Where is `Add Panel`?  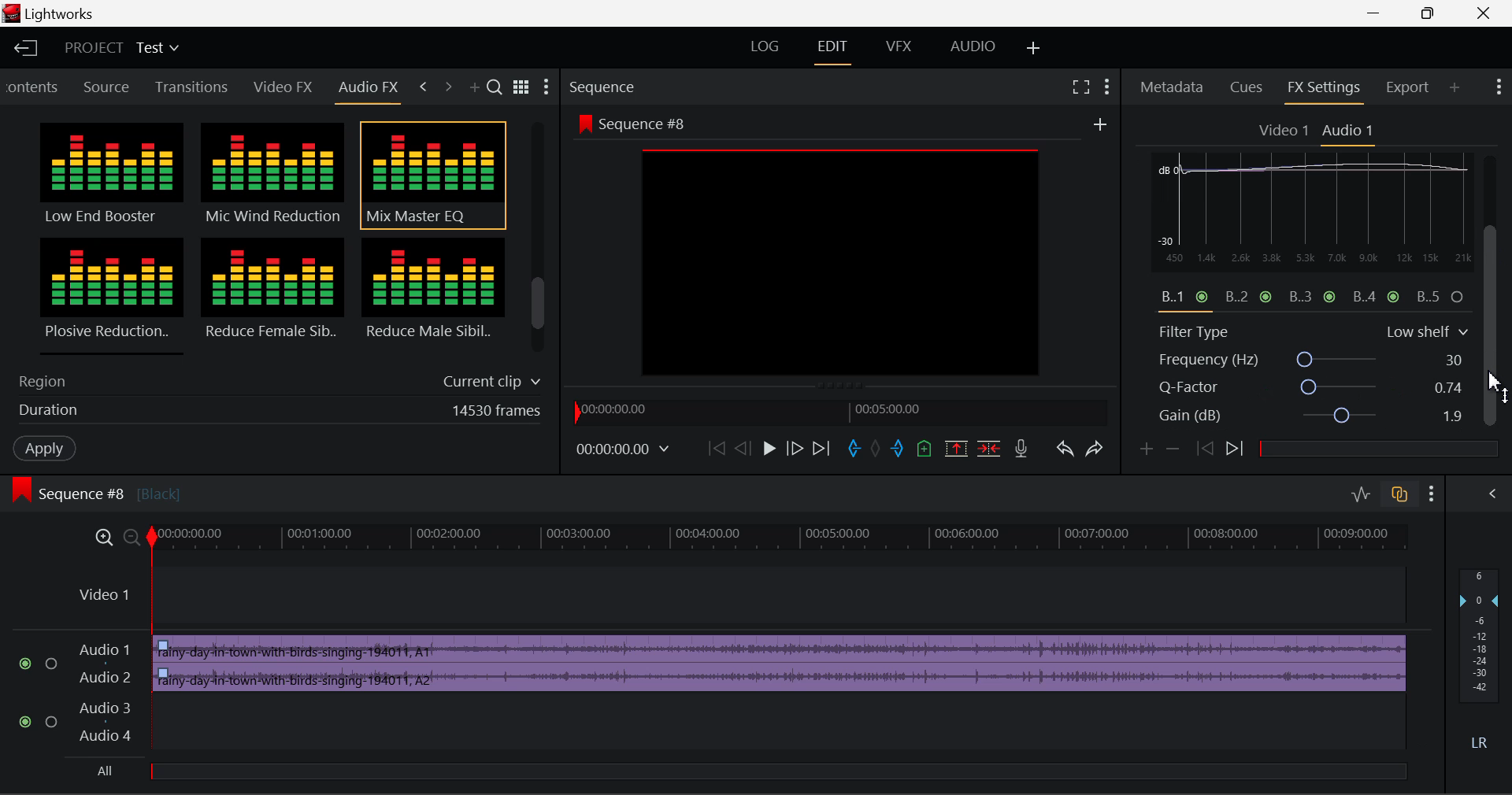 Add Panel is located at coordinates (476, 89).